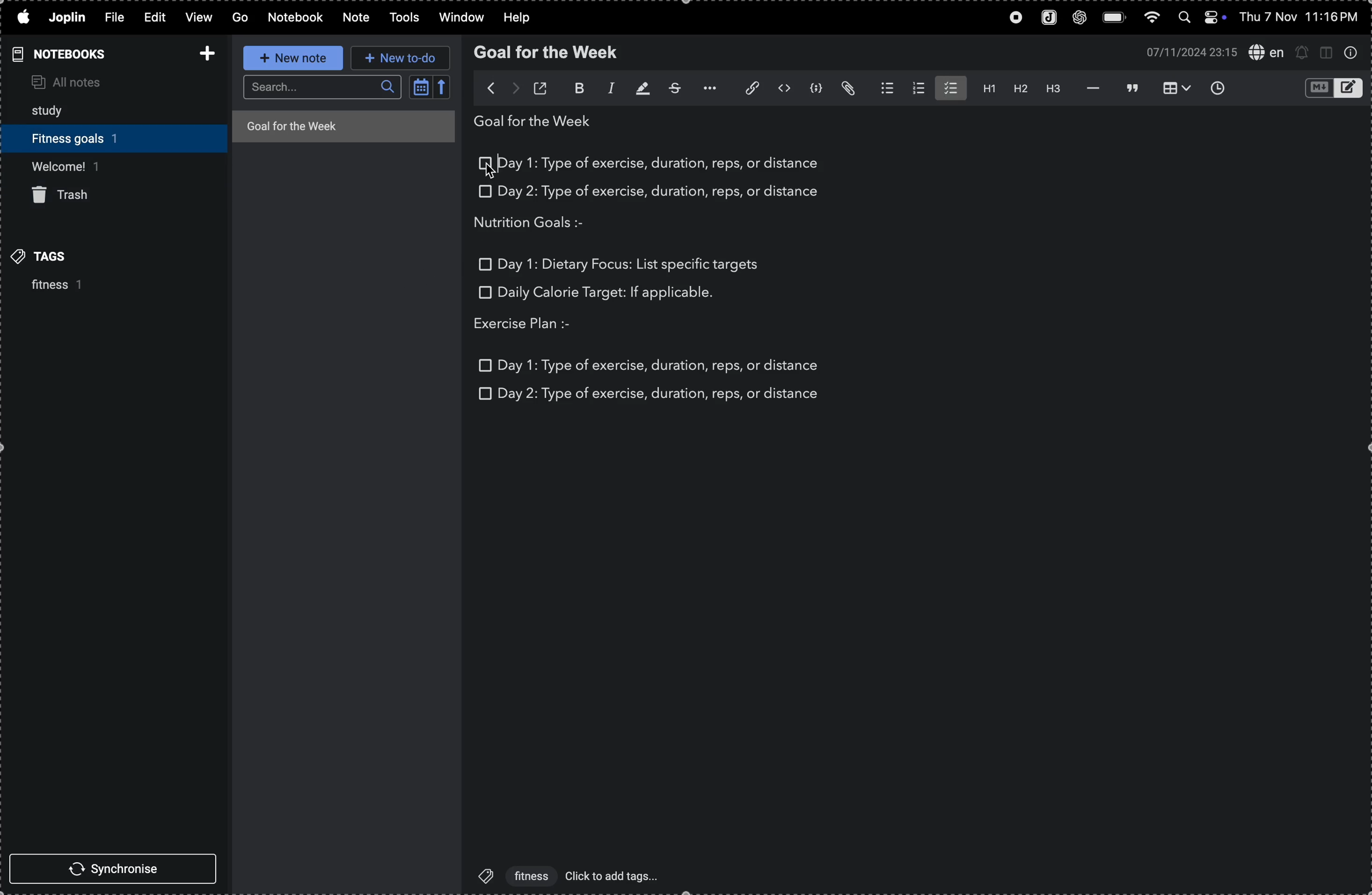 This screenshot has height=895, width=1372. Describe the element at coordinates (67, 18) in the screenshot. I see `joplin` at that location.